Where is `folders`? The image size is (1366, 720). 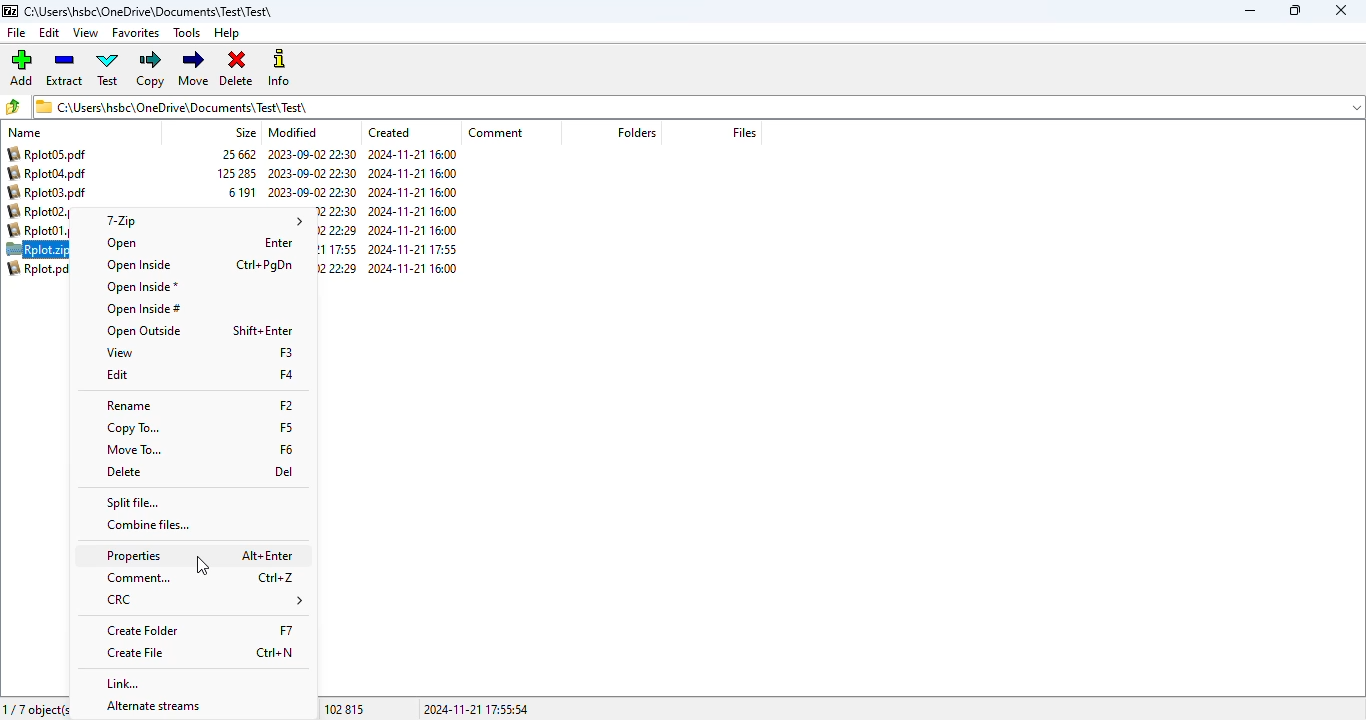
folders is located at coordinates (637, 132).